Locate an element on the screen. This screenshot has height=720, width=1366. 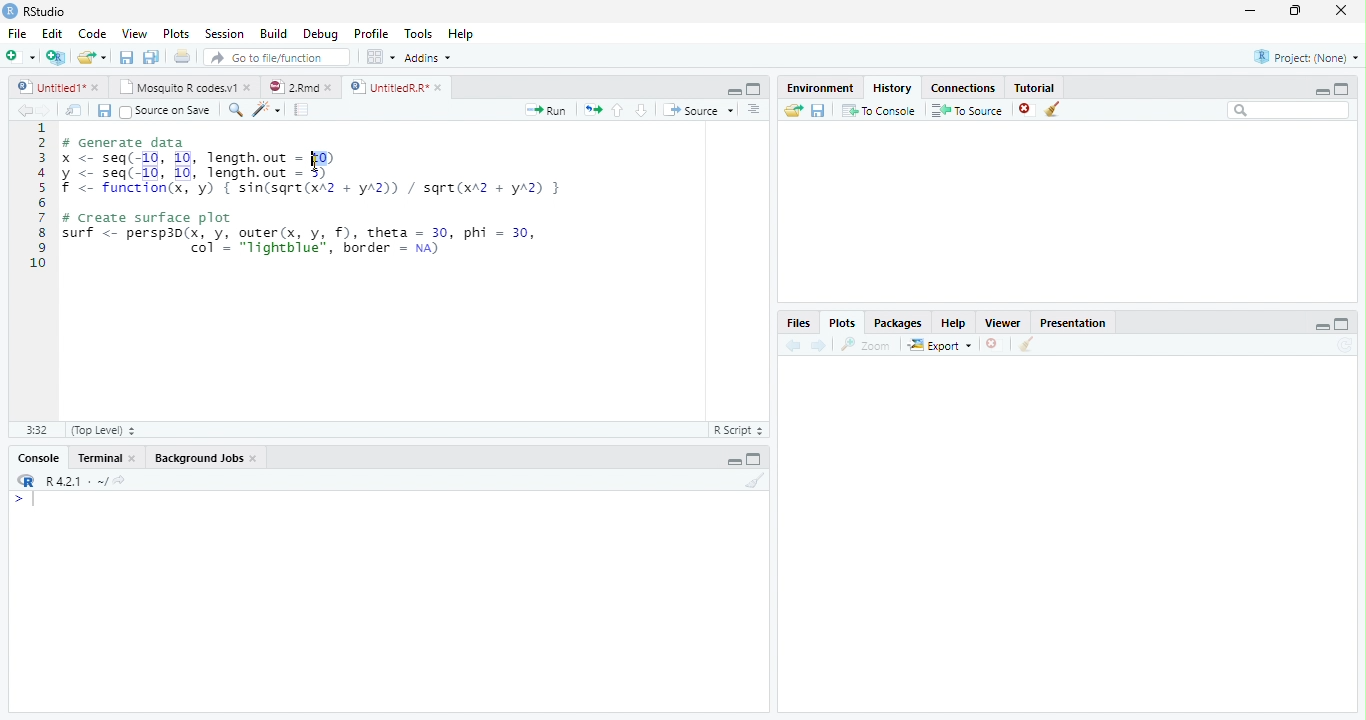
Mosquito R codes.v1 is located at coordinates (175, 87).